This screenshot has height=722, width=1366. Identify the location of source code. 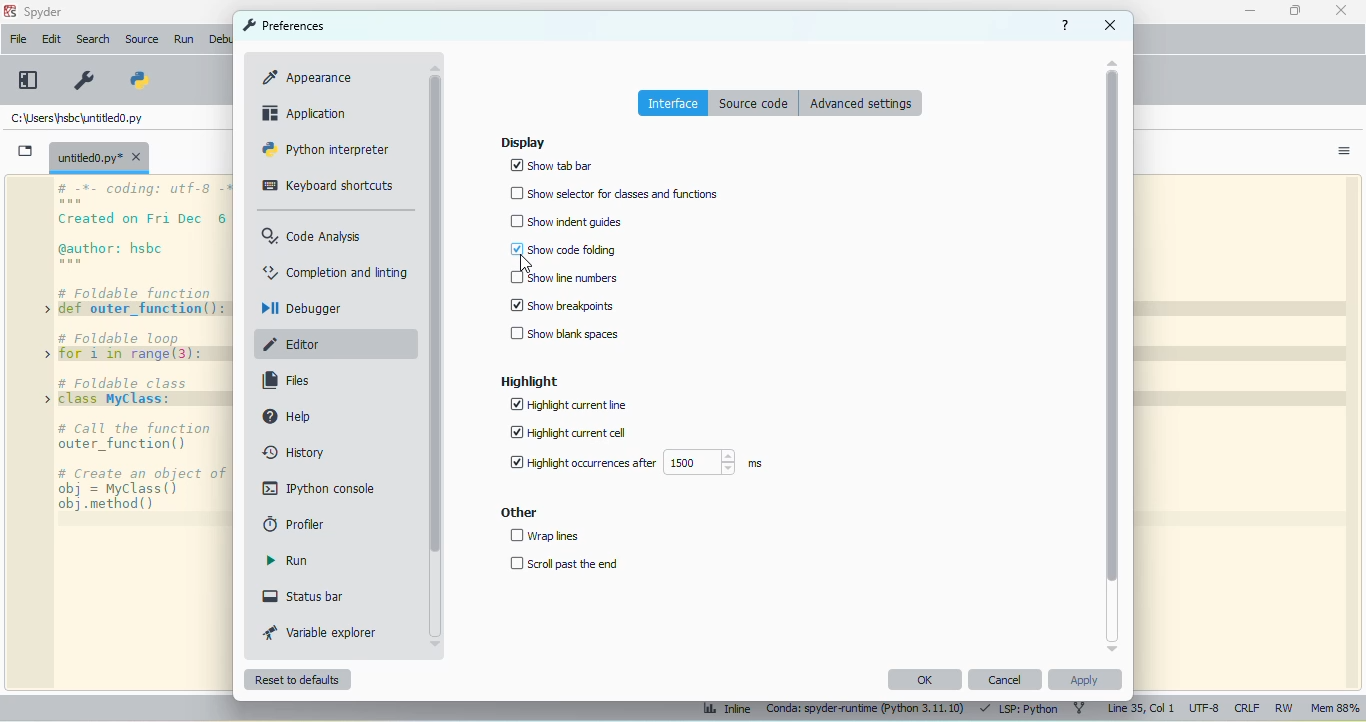
(754, 103).